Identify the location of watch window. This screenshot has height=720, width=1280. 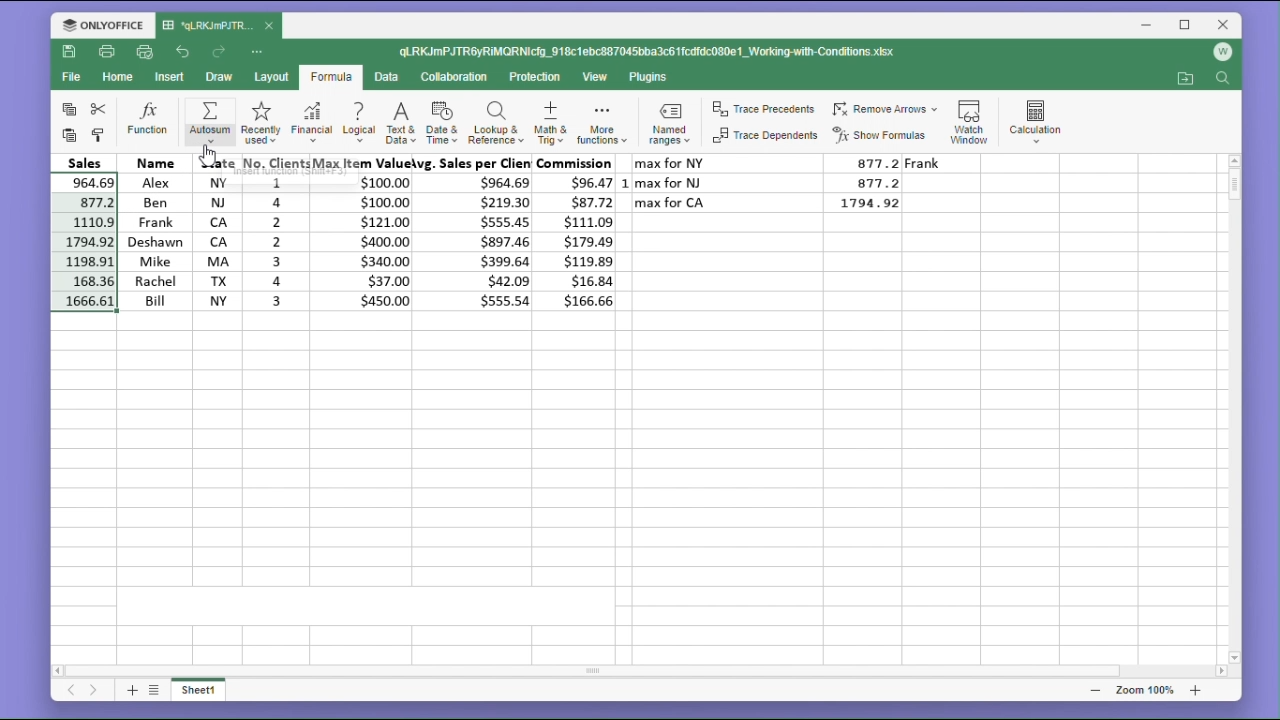
(972, 118).